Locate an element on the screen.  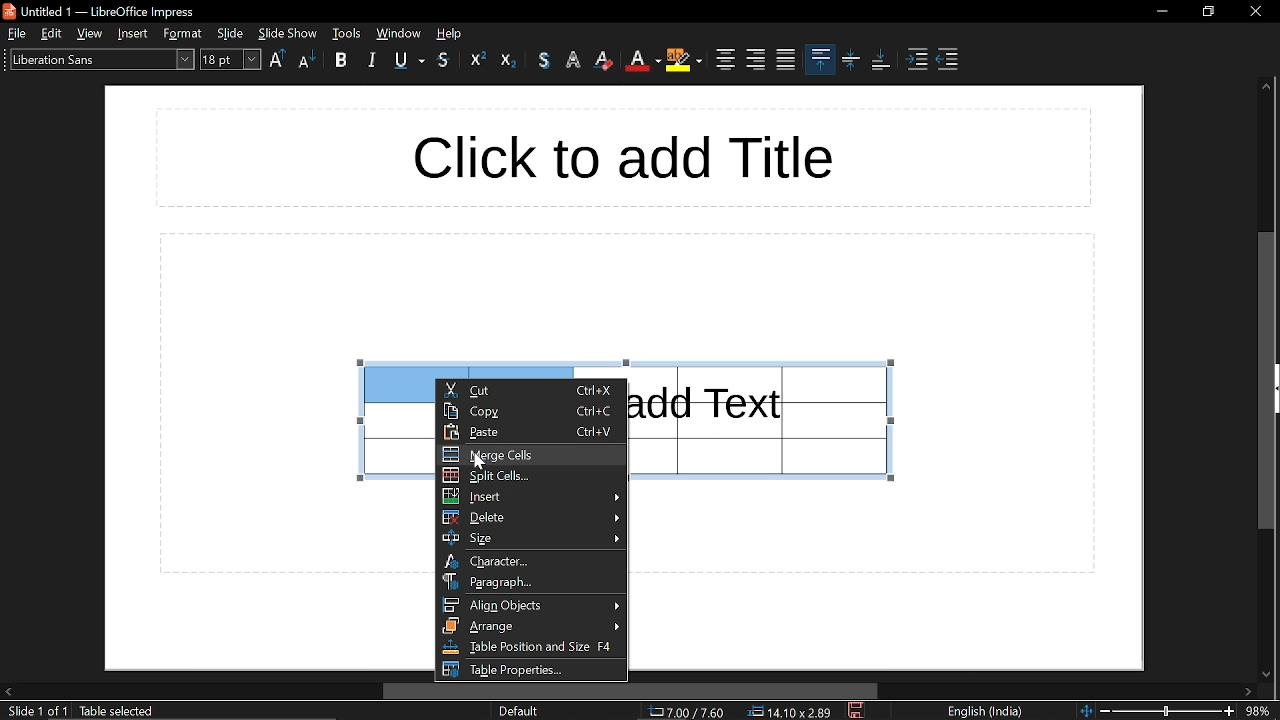
slide 1 of 1 is located at coordinates (37, 712).